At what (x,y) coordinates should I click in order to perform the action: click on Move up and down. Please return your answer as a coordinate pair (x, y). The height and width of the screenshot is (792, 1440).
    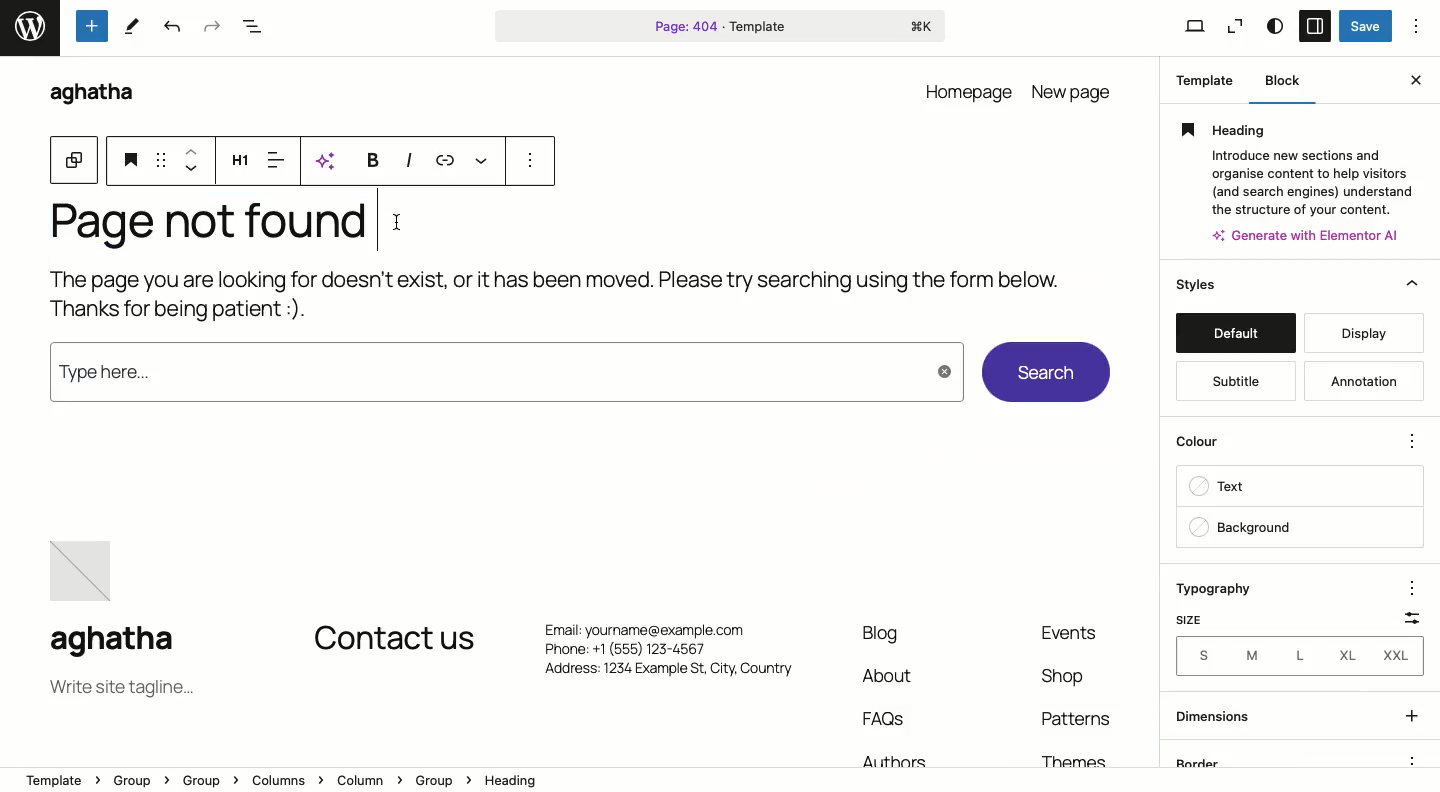
    Looking at the image, I should click on (191, 162).